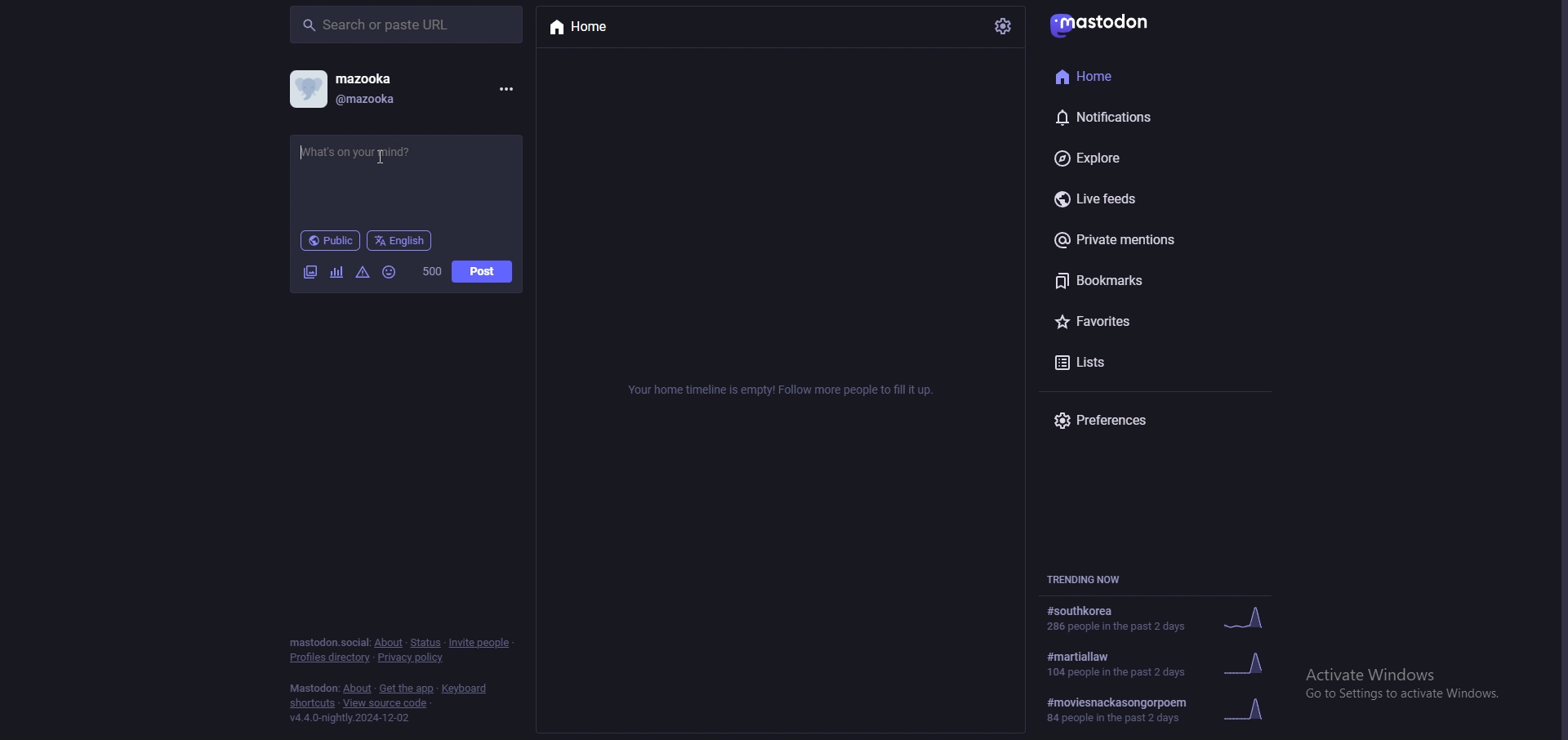 This screenshot has width=1568, height=740. I want to click on Your home timeline is empty! Follow more people to fill it up., so click(780, 390).